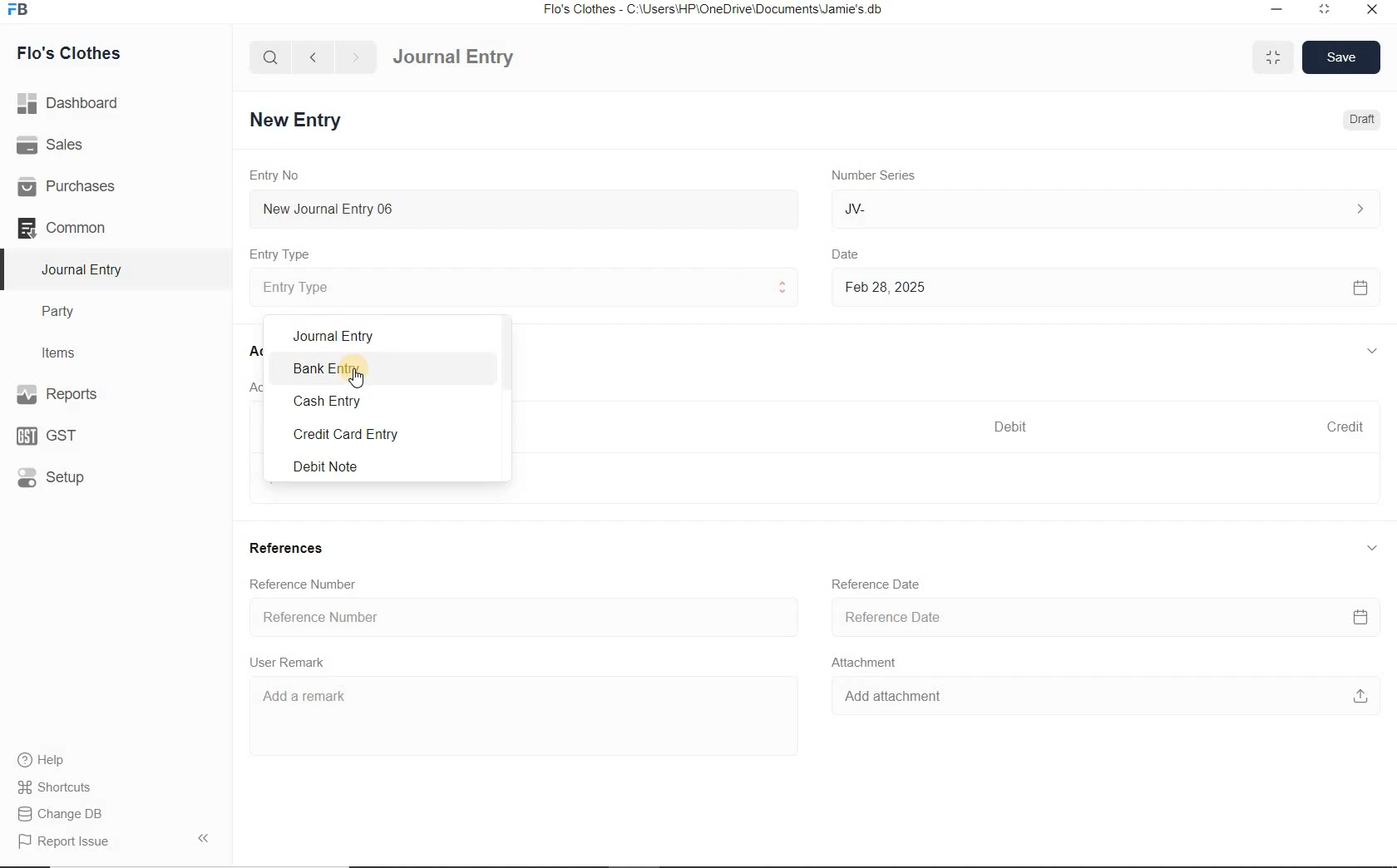  Describe the element at coordinates (362, 334) in the screenshot. I see `Journal Entry` at that location.